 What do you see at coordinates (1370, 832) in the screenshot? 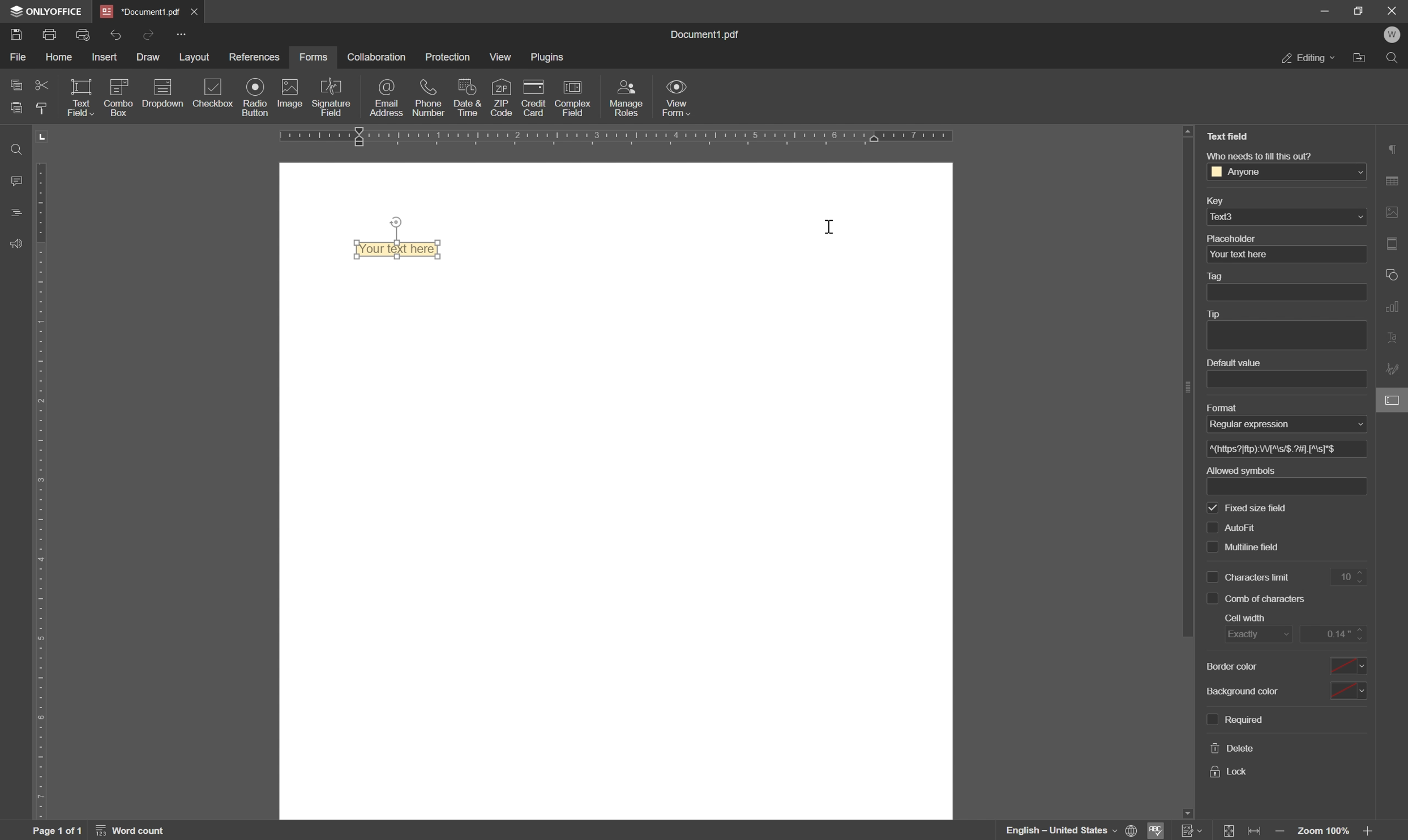
I see `zoom in` at bounding box center [1370, 832].